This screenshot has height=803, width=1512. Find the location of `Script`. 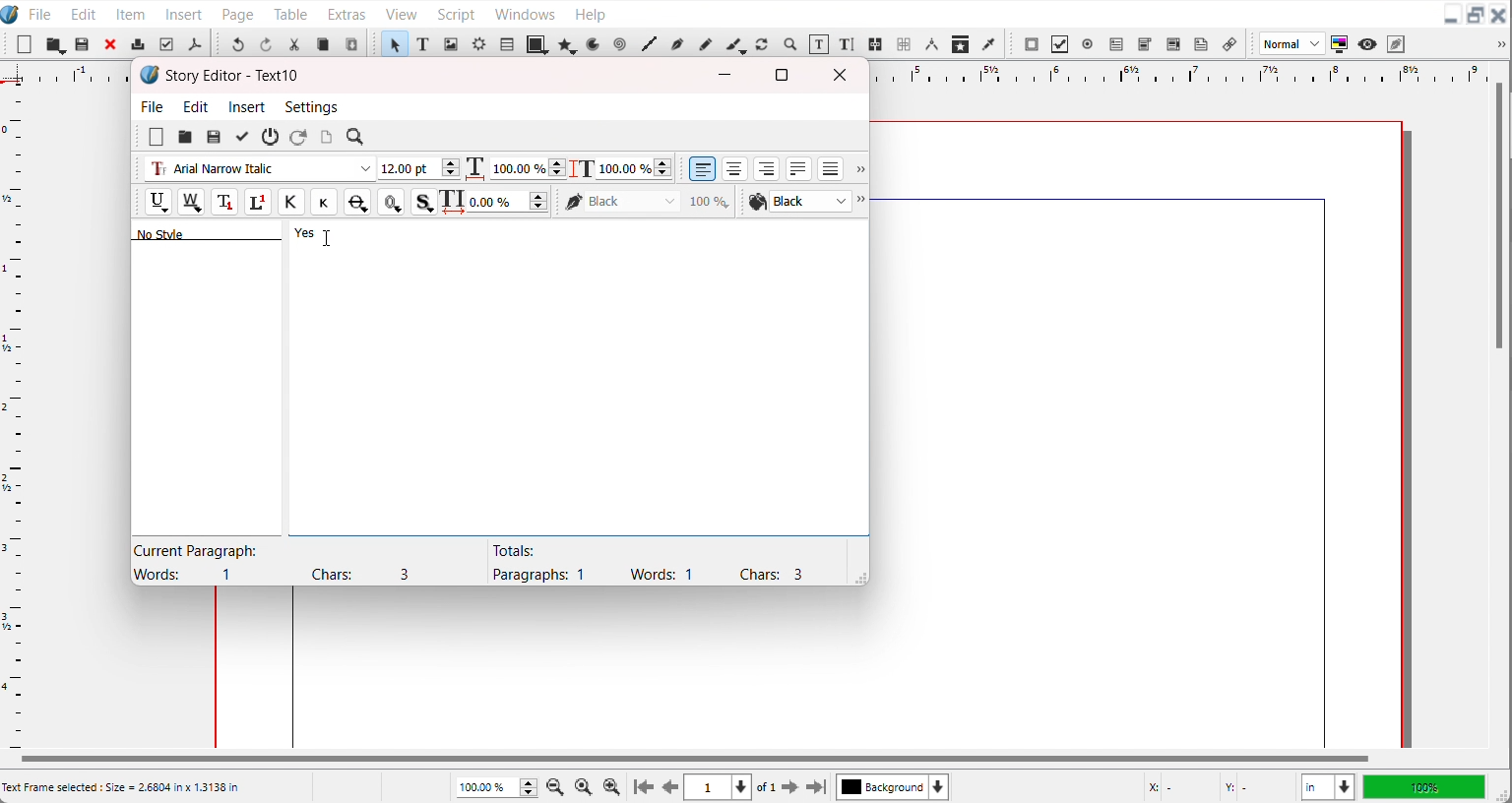

Script is located at coordinates (458, 13).